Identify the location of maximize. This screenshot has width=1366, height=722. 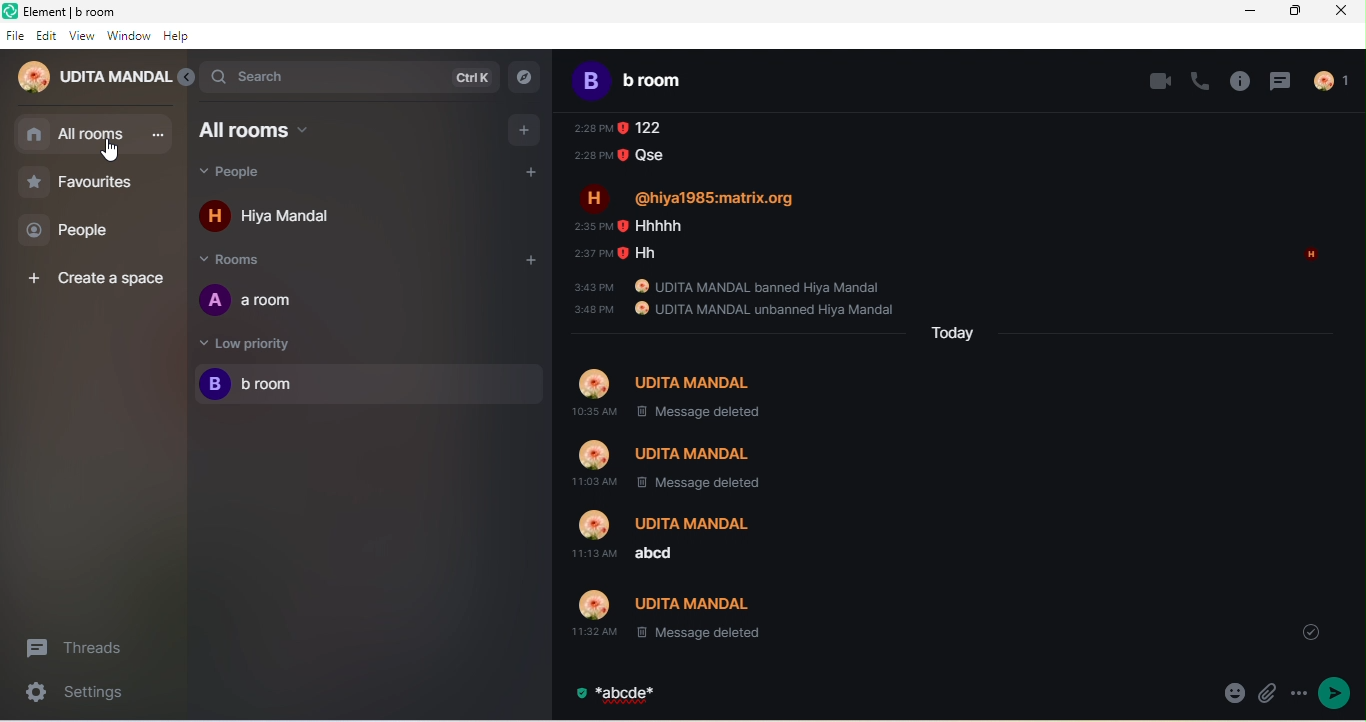
(1296, 11).